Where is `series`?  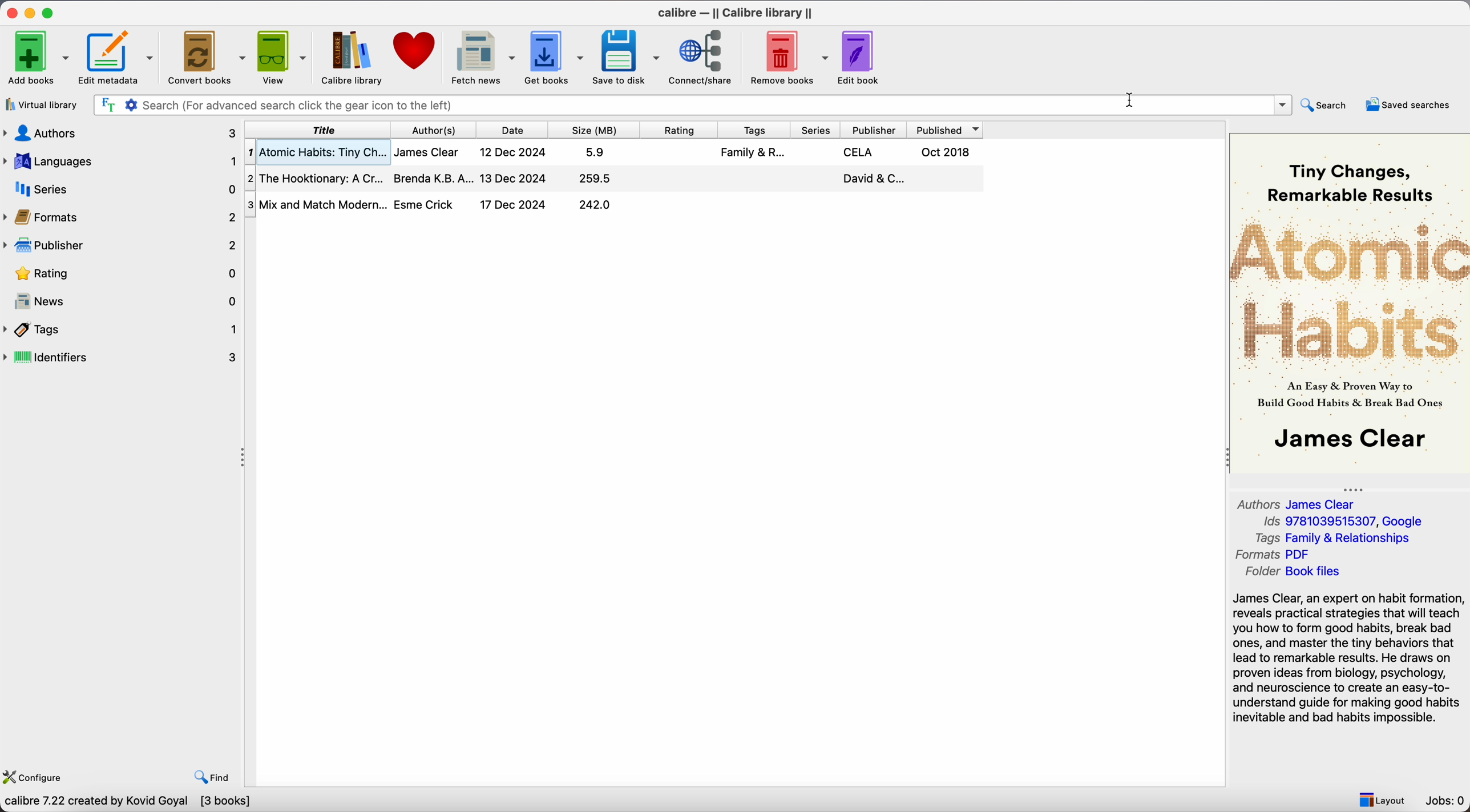
series is located at coordinates (815, 130).